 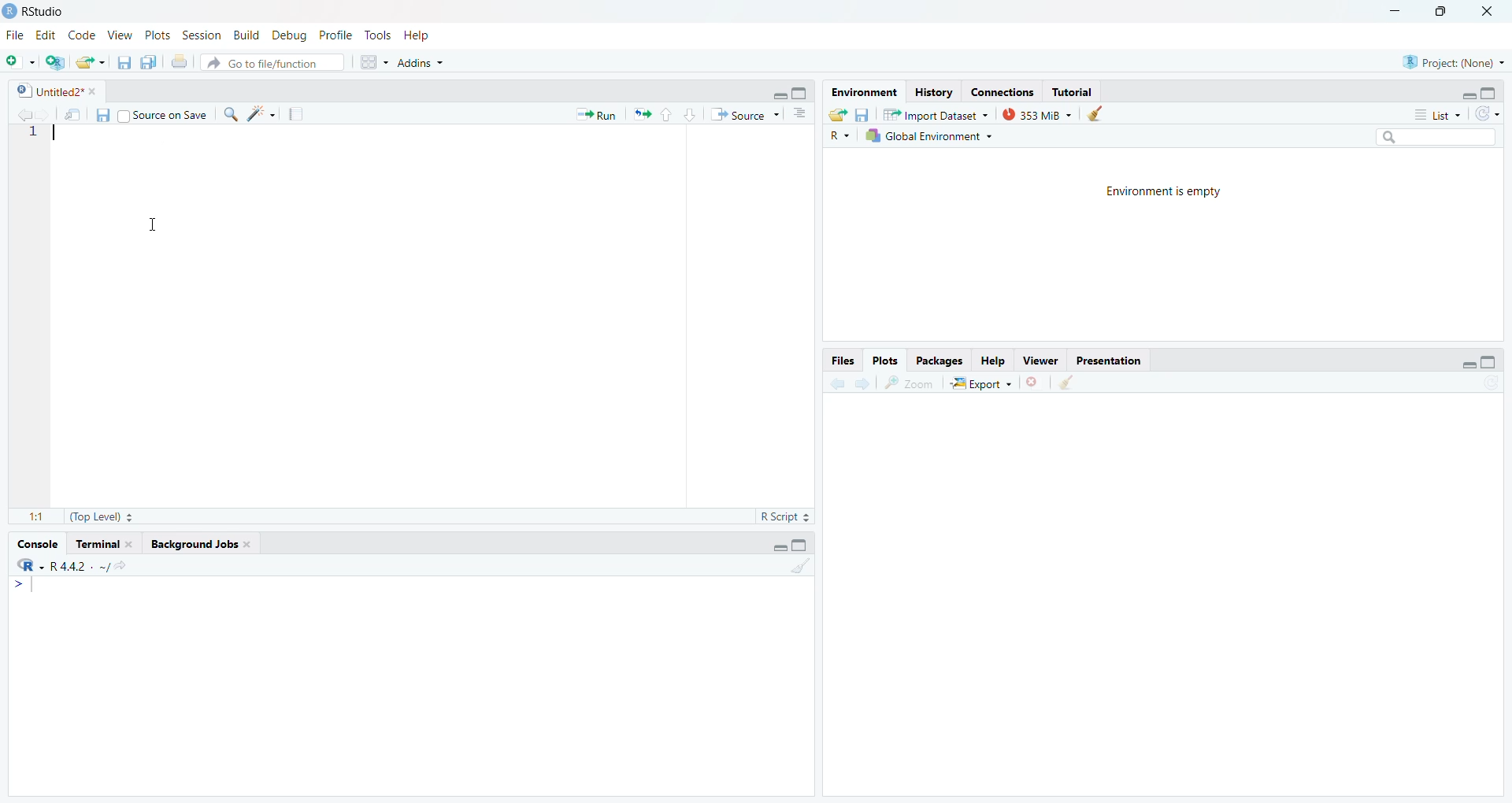 I want to click on Source on Save, so click(x=164, y=116).